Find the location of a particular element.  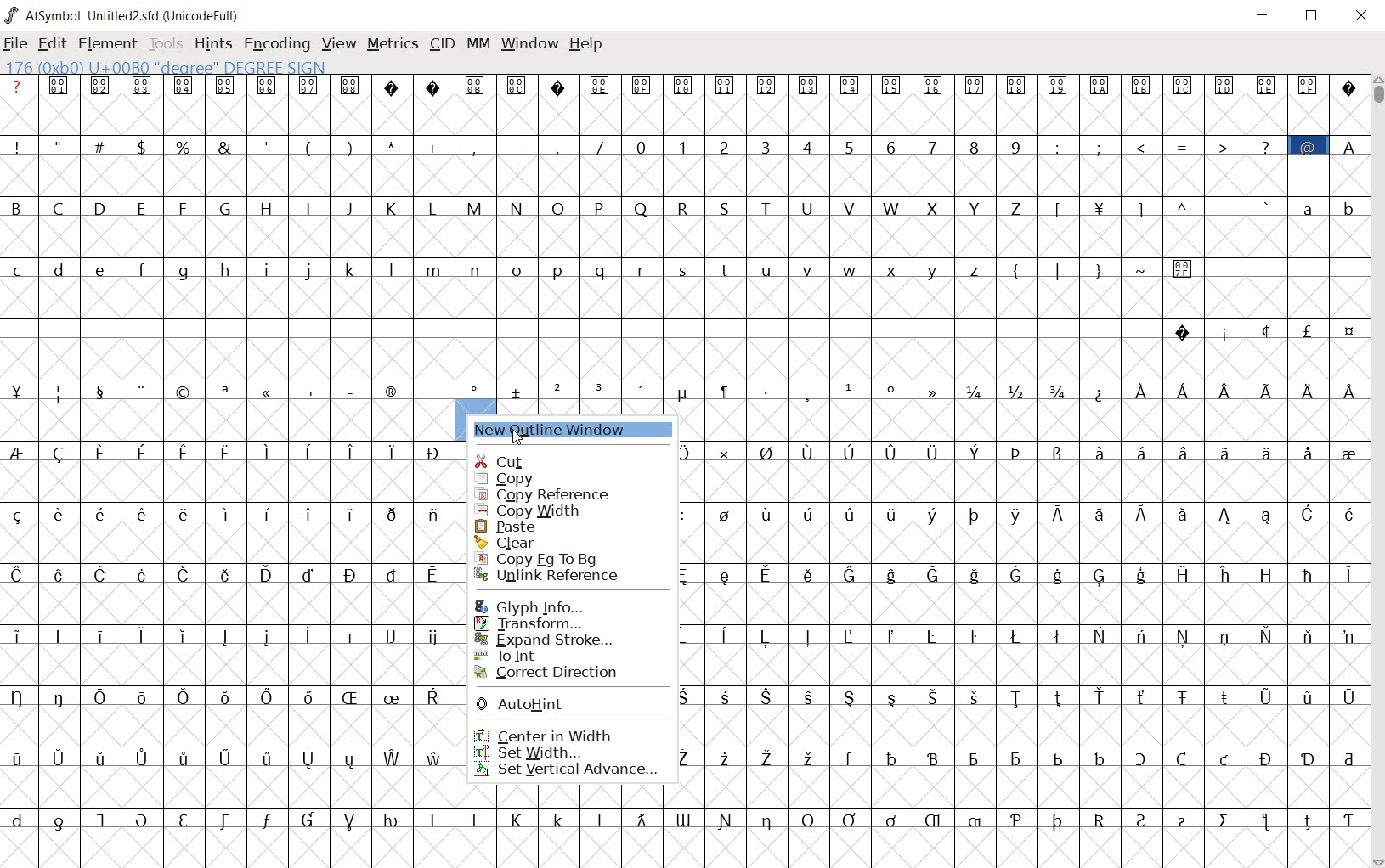

special letters is located at coordinates (1021, 757).